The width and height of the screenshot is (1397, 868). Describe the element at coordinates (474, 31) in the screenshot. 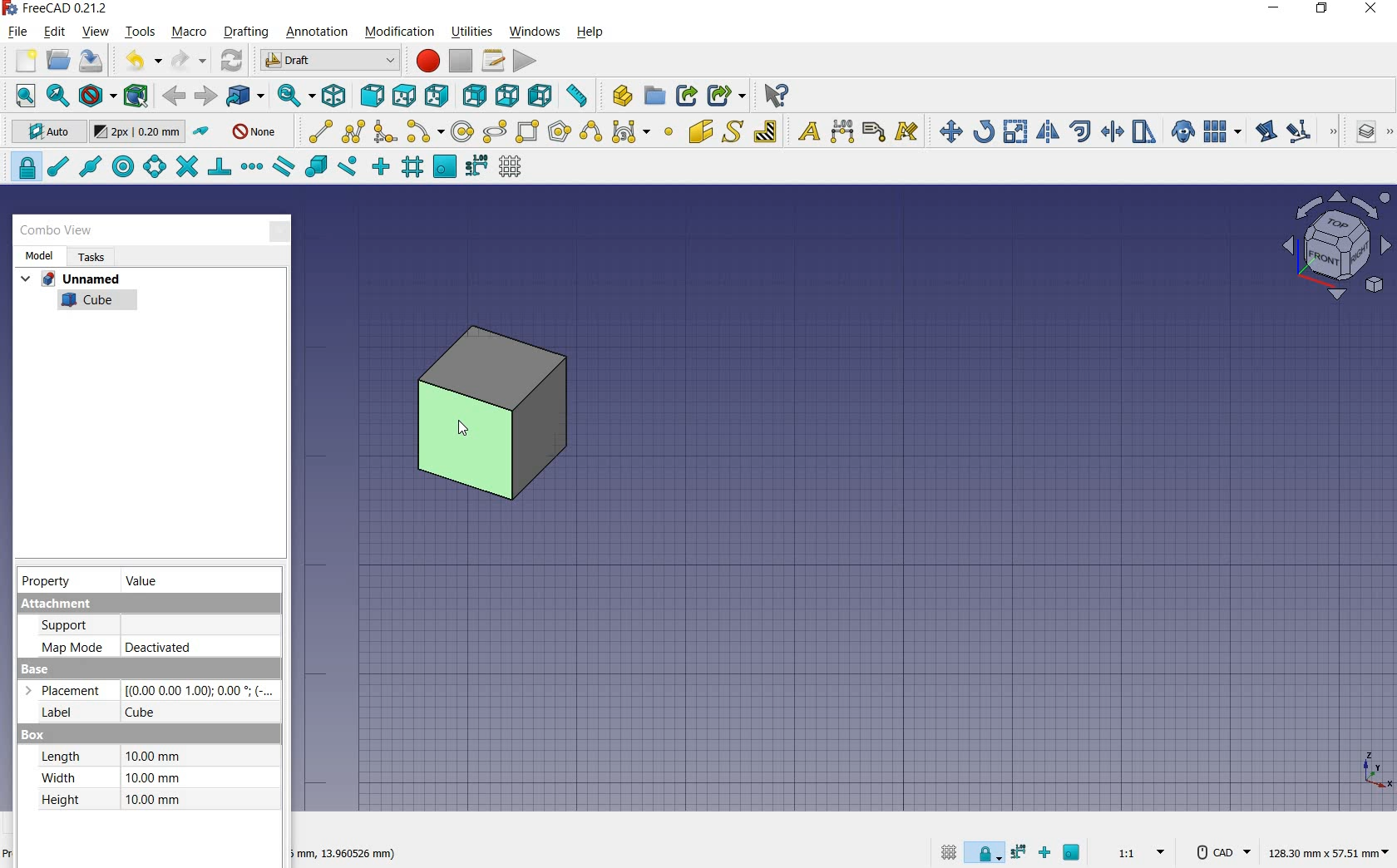

I see `utilities` at that location.